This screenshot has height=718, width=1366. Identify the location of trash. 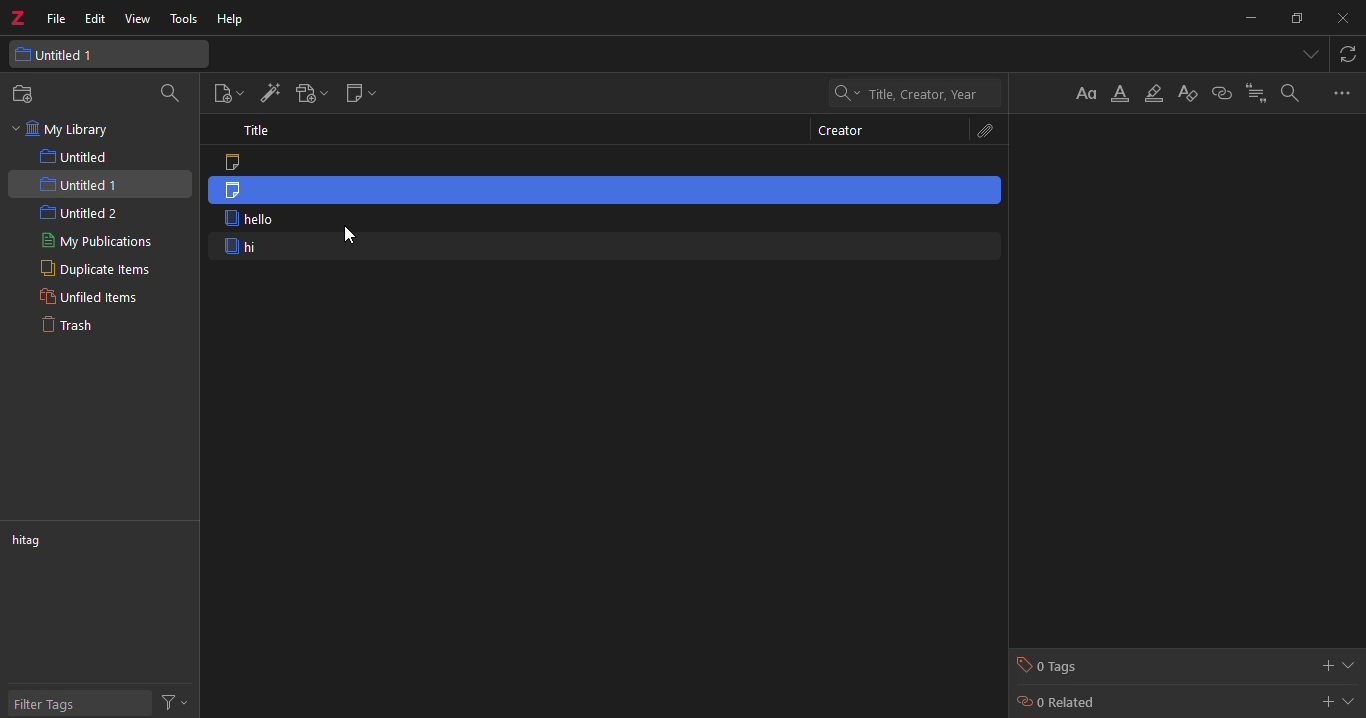
(74, 325).